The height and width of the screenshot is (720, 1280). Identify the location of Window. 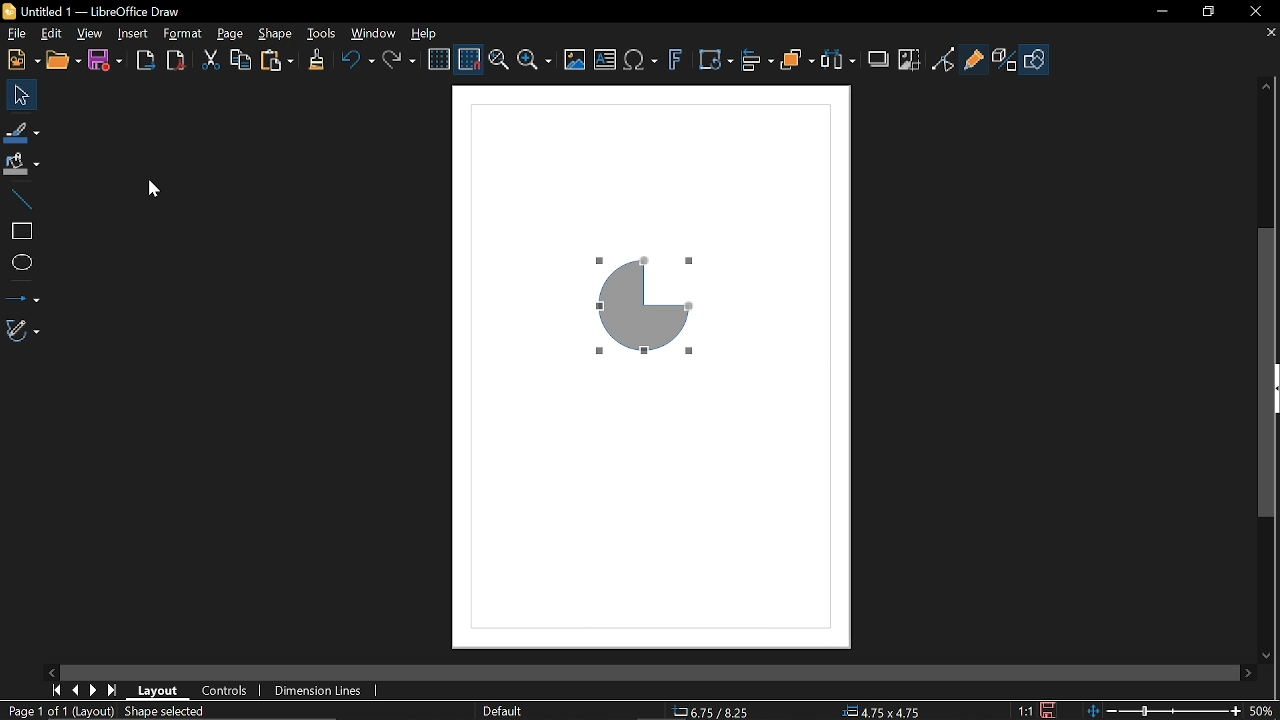
(374, 34).